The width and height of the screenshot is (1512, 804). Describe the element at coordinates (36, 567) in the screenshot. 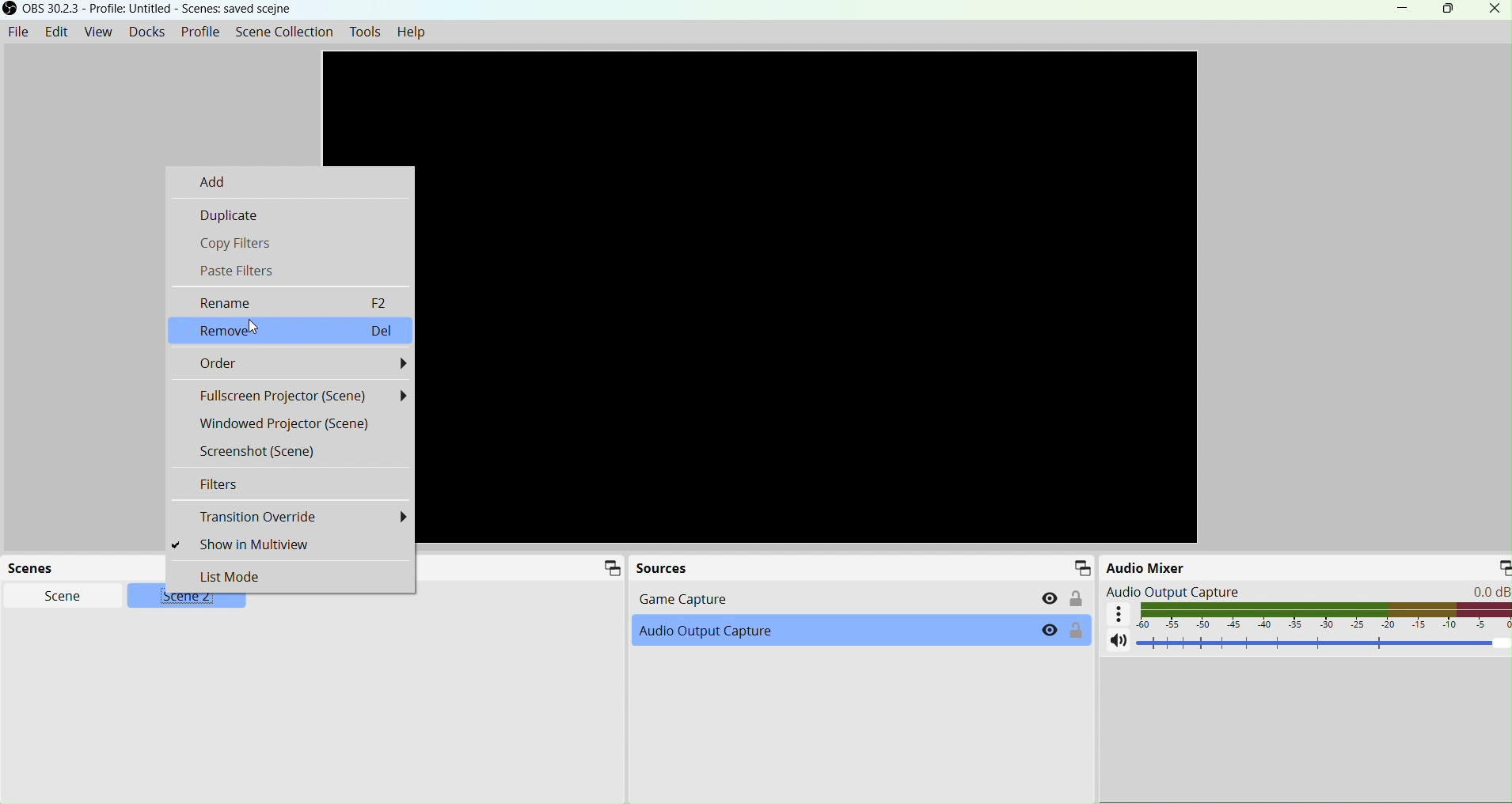

I see `Scenes` at that location.